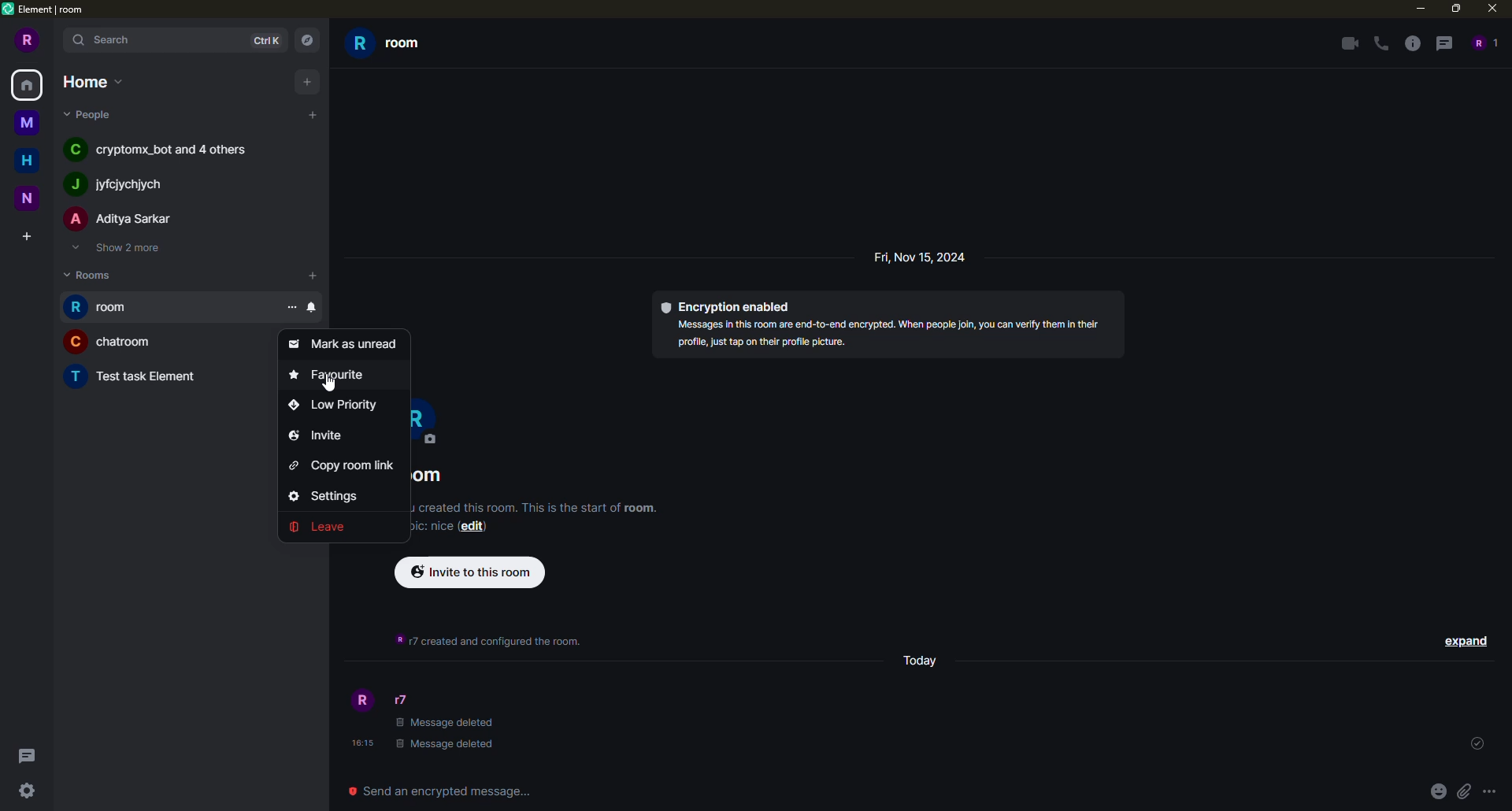  Describe the element at coordinates (1484, 43) in the screenshot. I see `people` at that location.